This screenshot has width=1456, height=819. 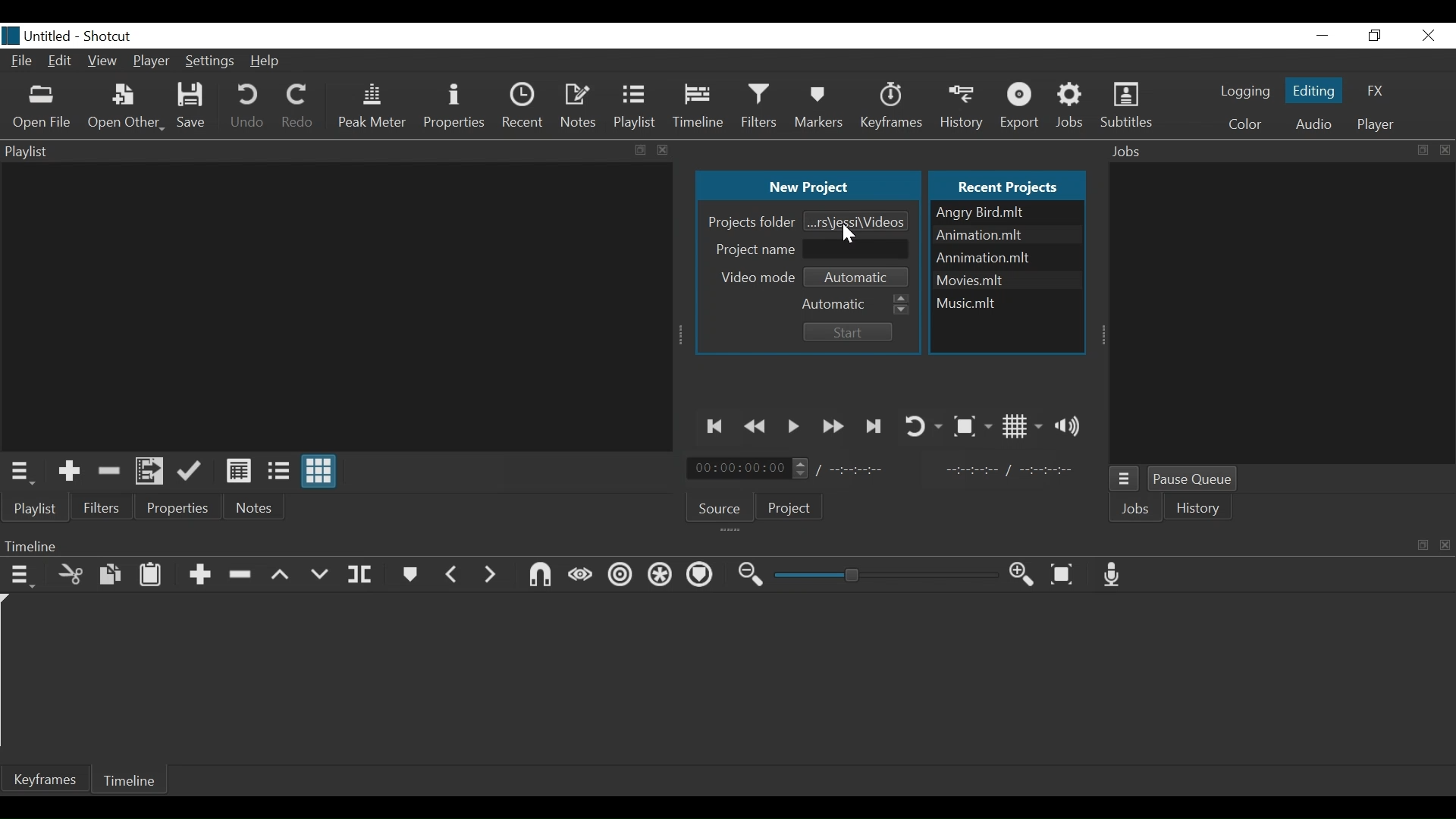 I want to click on Player, so click(x=152, y=61).